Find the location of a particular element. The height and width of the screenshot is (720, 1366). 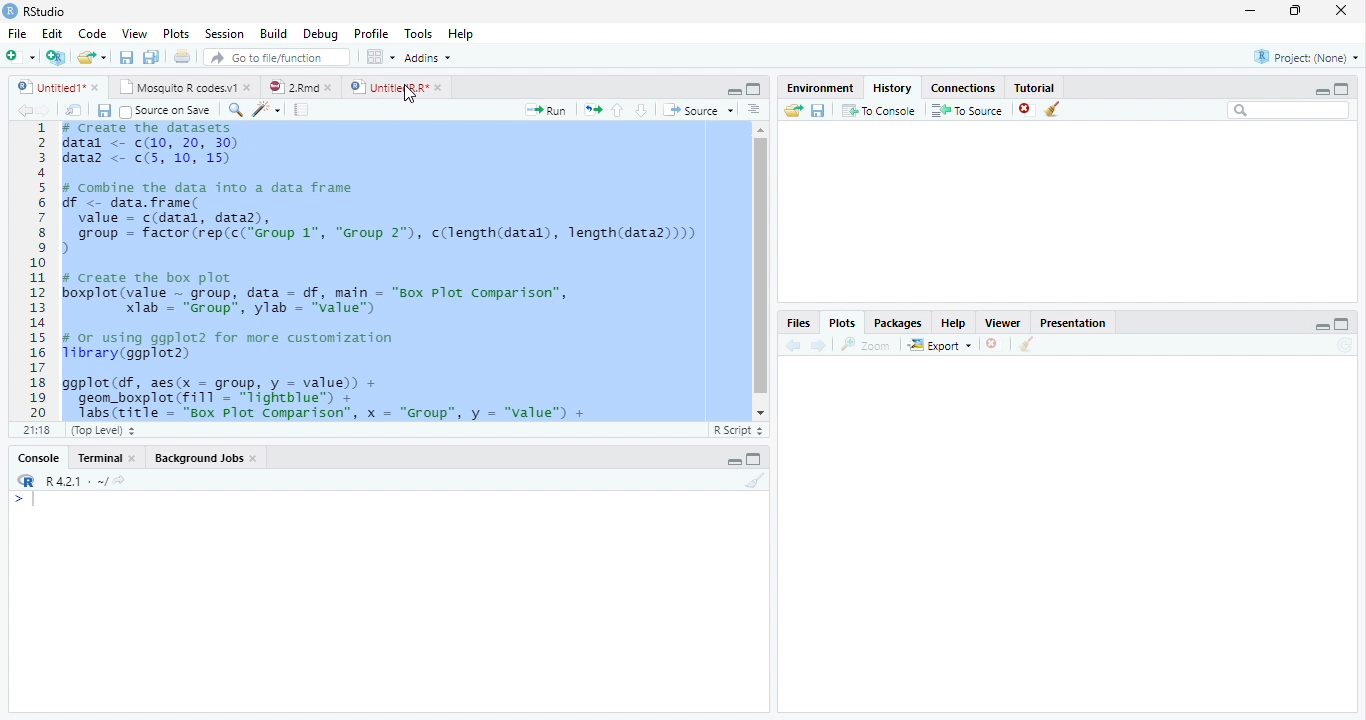

New file is located at coordinates (20, 57).